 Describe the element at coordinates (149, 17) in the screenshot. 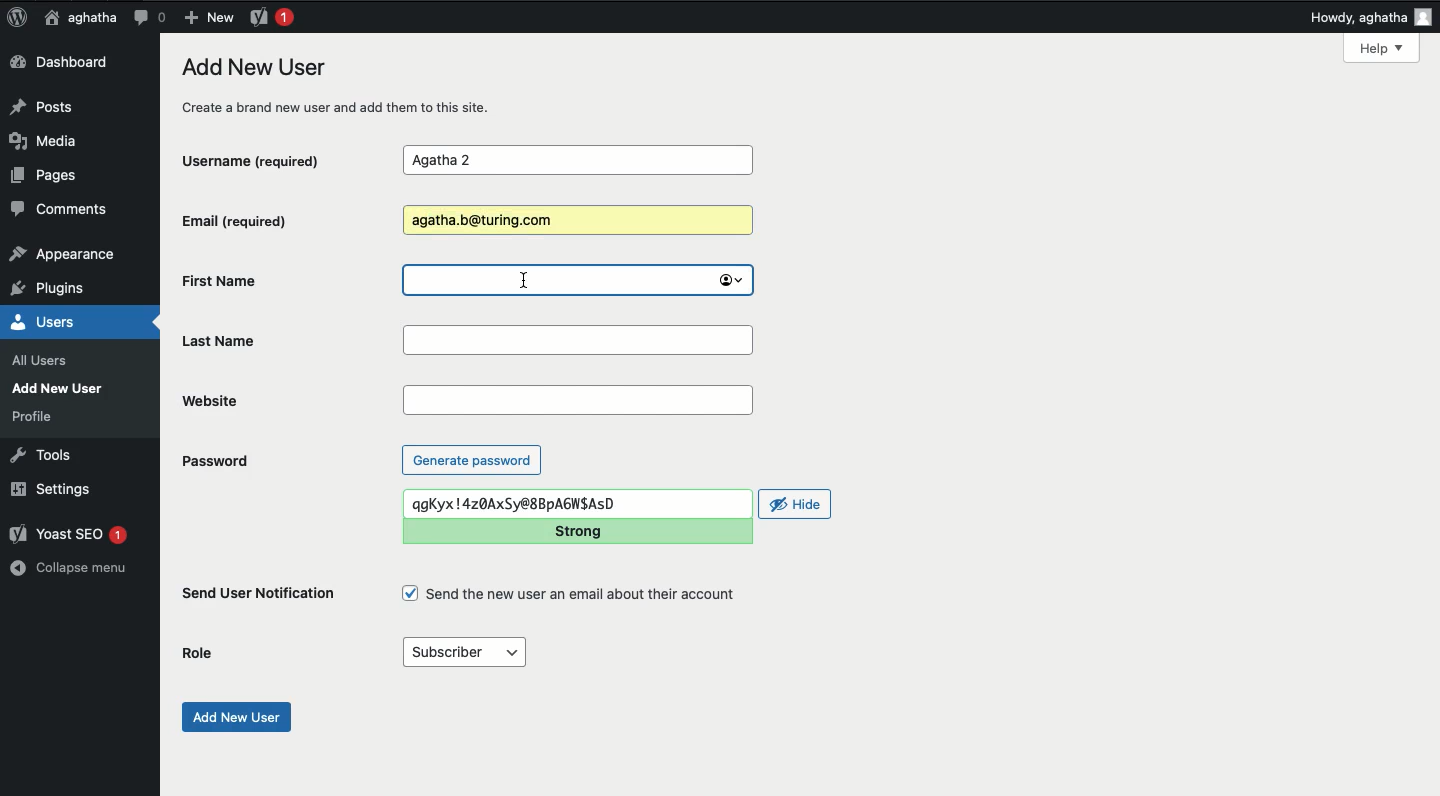

I see `Comment` at that location.